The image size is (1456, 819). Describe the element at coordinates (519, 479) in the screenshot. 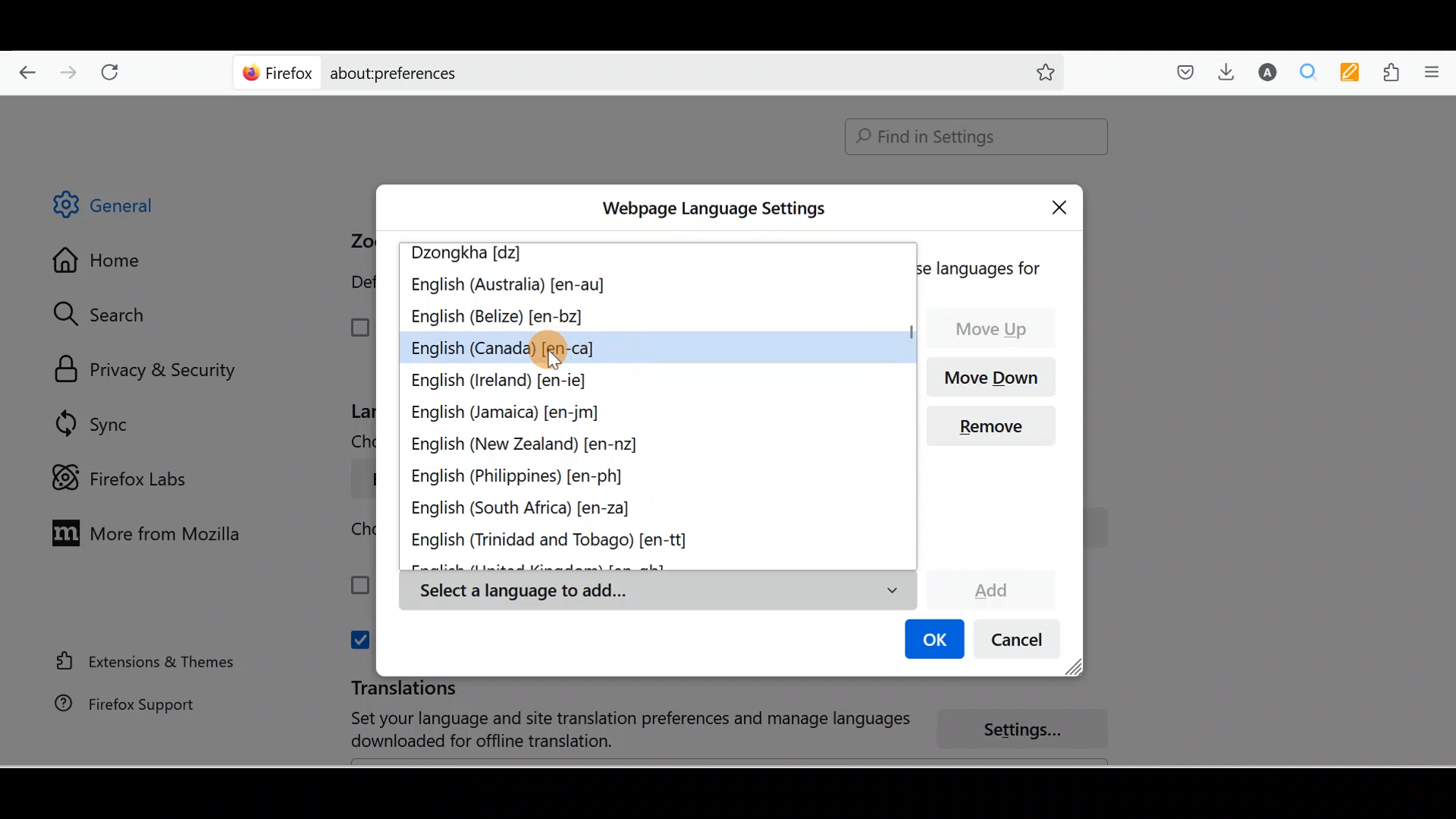

I see `English (Philippines) [en-ph]` at that location.